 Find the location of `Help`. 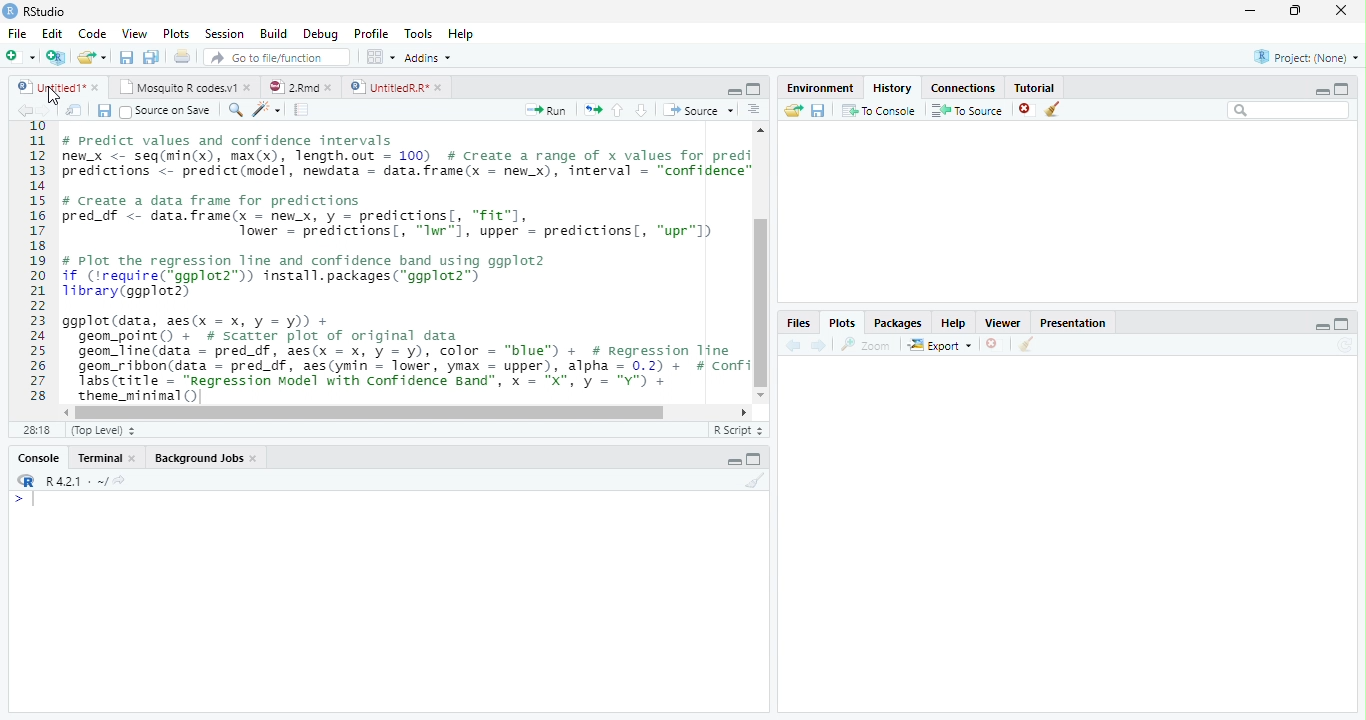

Help is located at coordinates (956, 322).